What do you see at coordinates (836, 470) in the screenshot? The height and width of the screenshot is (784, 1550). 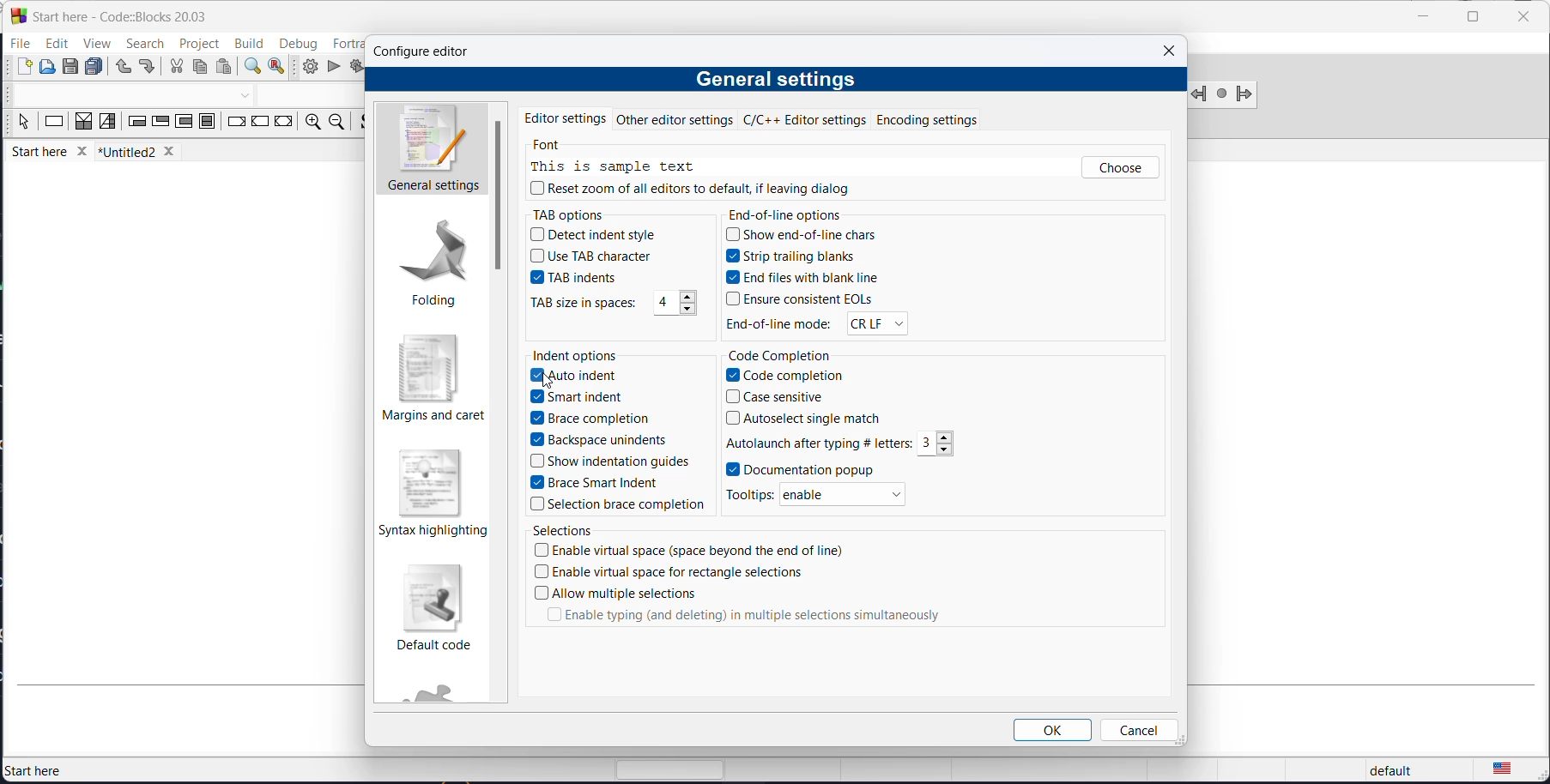 I see `documentation popup checkbox` at bounding box center [836, 470].